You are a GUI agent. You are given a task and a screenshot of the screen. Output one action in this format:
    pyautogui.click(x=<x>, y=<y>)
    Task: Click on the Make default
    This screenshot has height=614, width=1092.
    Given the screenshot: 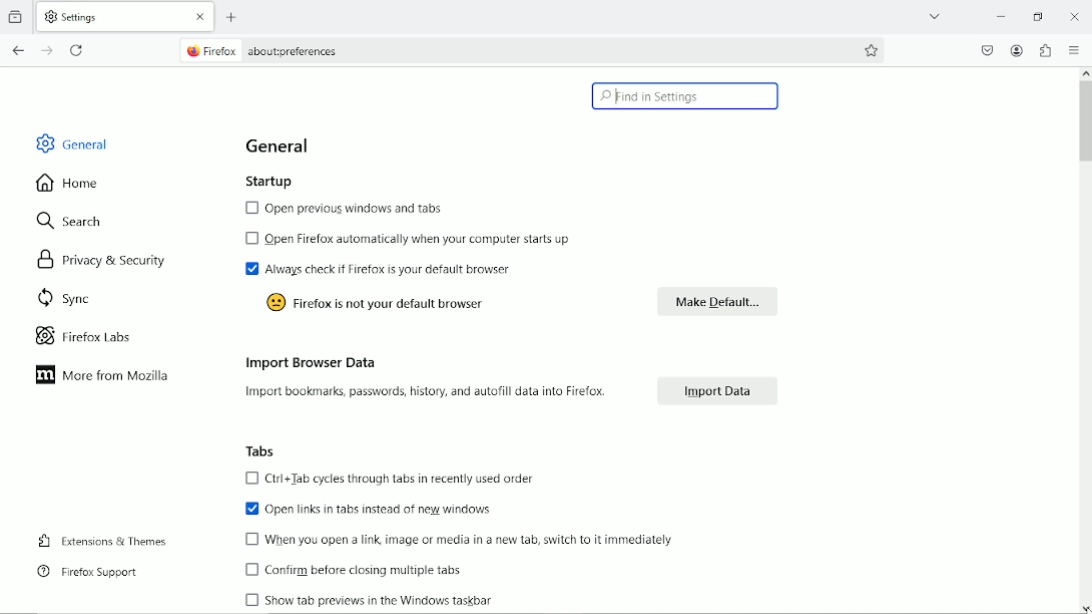 What is the action you would take?
    pyautogui.click(x=719, y=302)
    